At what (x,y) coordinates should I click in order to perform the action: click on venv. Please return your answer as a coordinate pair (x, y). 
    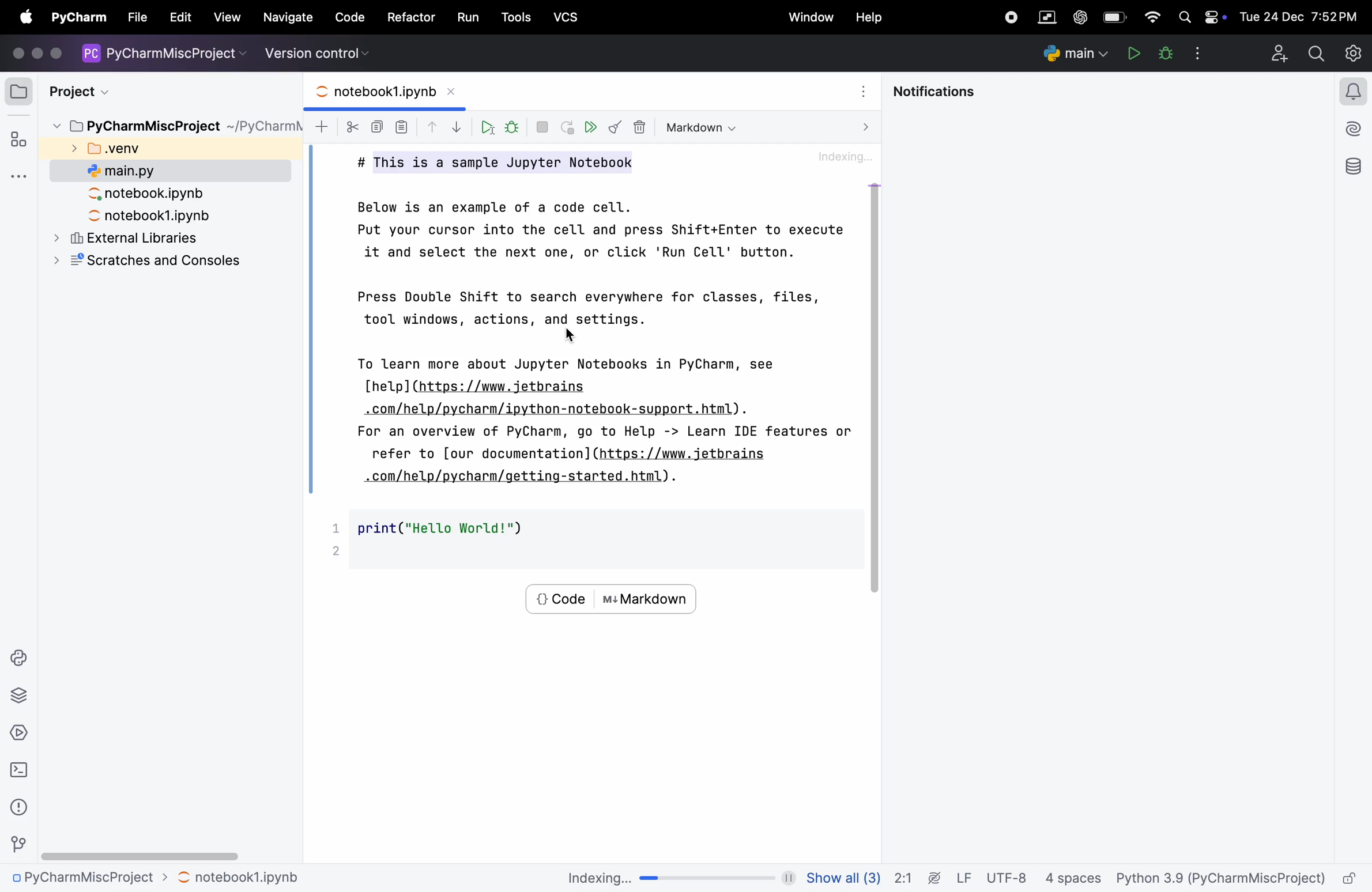
    Looking at the image, I should click on (166, 149).